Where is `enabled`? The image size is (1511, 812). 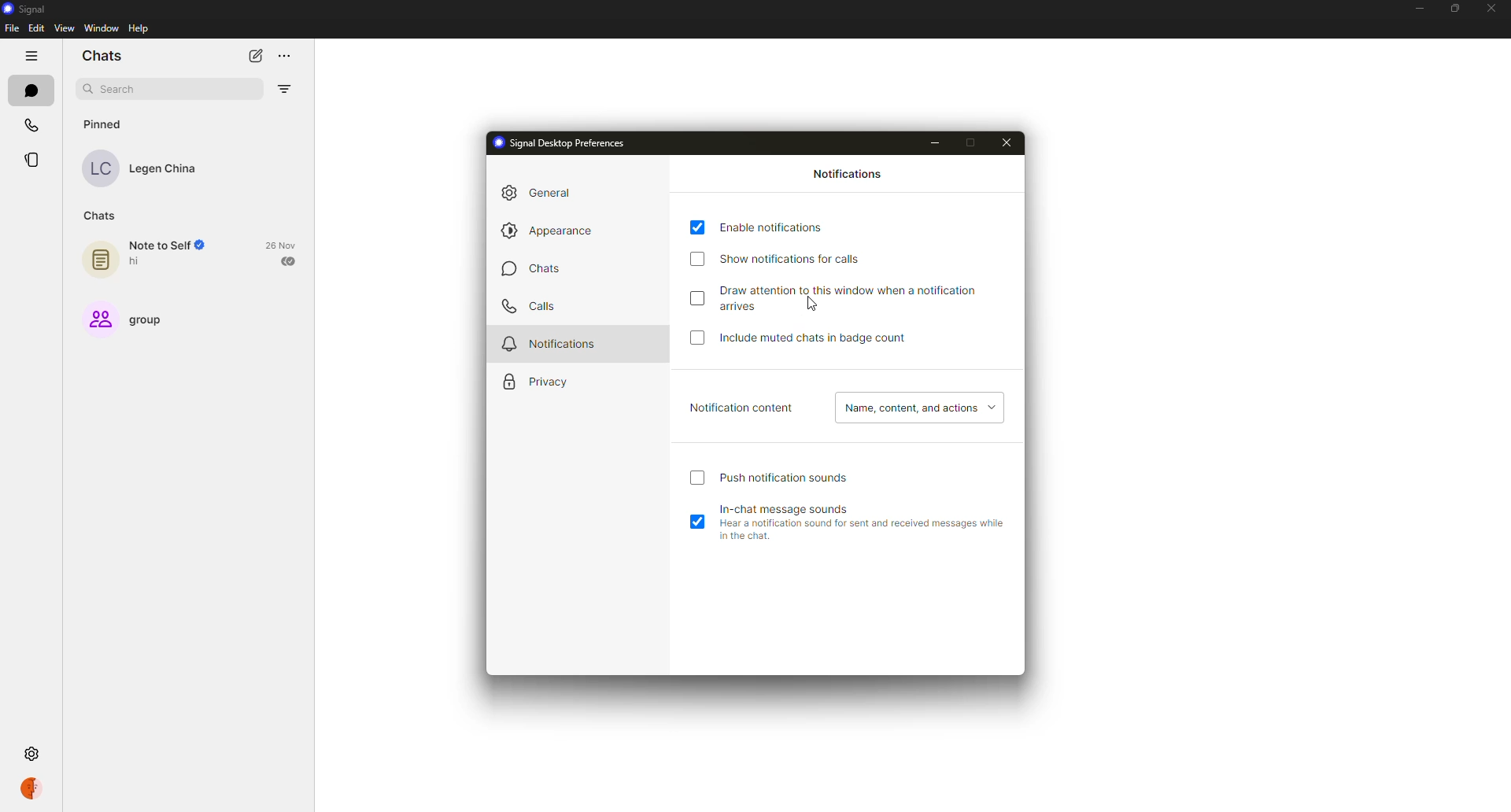
enabled is located at coordinates (697, 227).